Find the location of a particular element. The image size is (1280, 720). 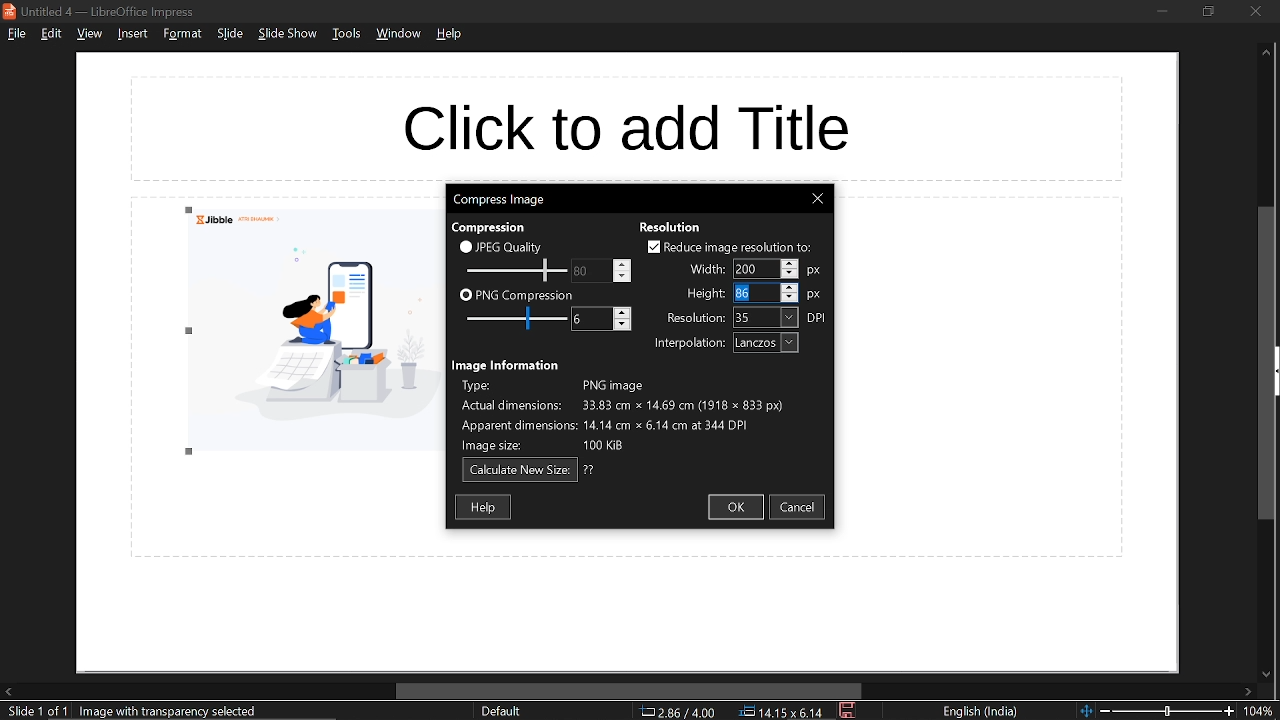

co-ordinate is located at coordinates (678, 711).